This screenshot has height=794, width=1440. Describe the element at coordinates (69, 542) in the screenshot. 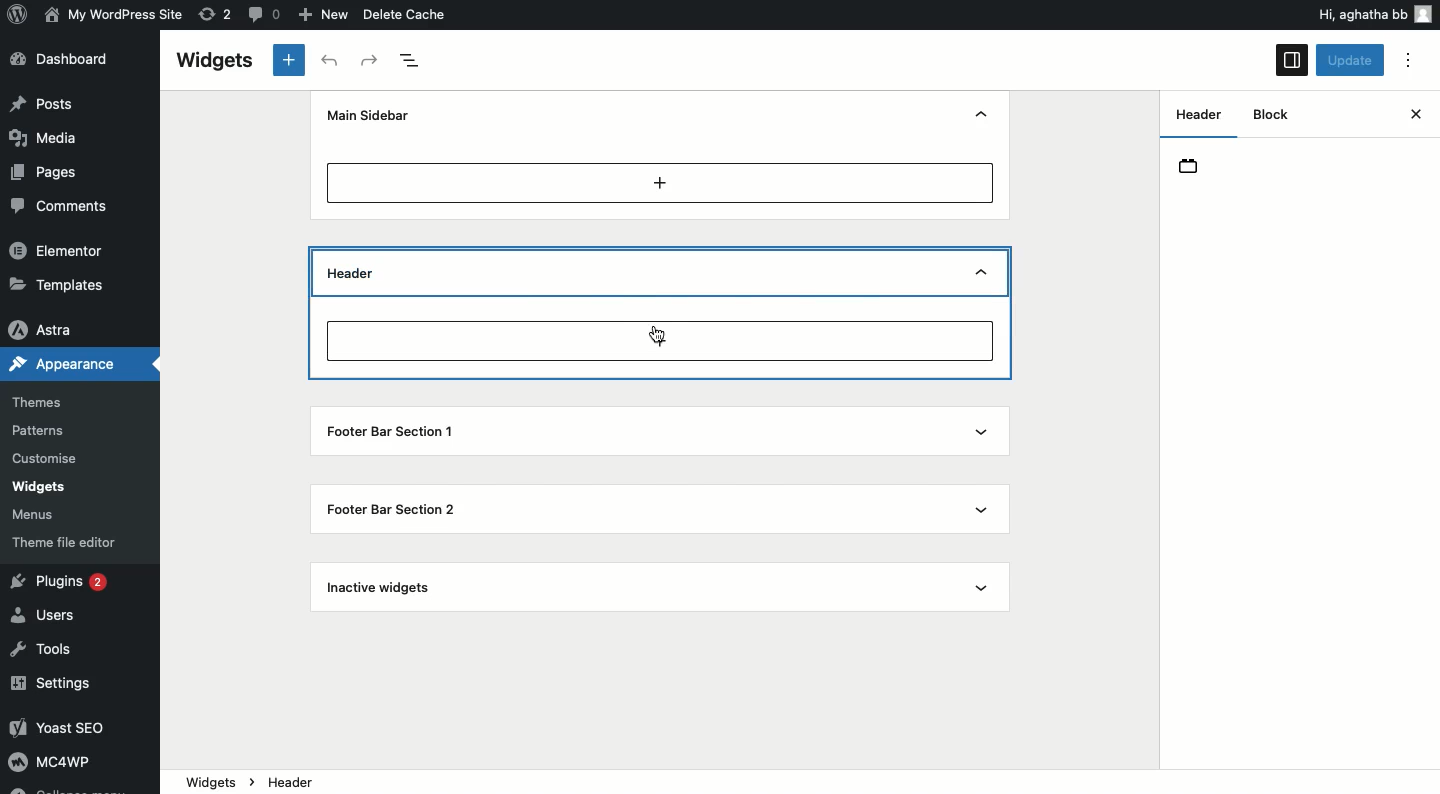

I see `Theme file editor` at that location.